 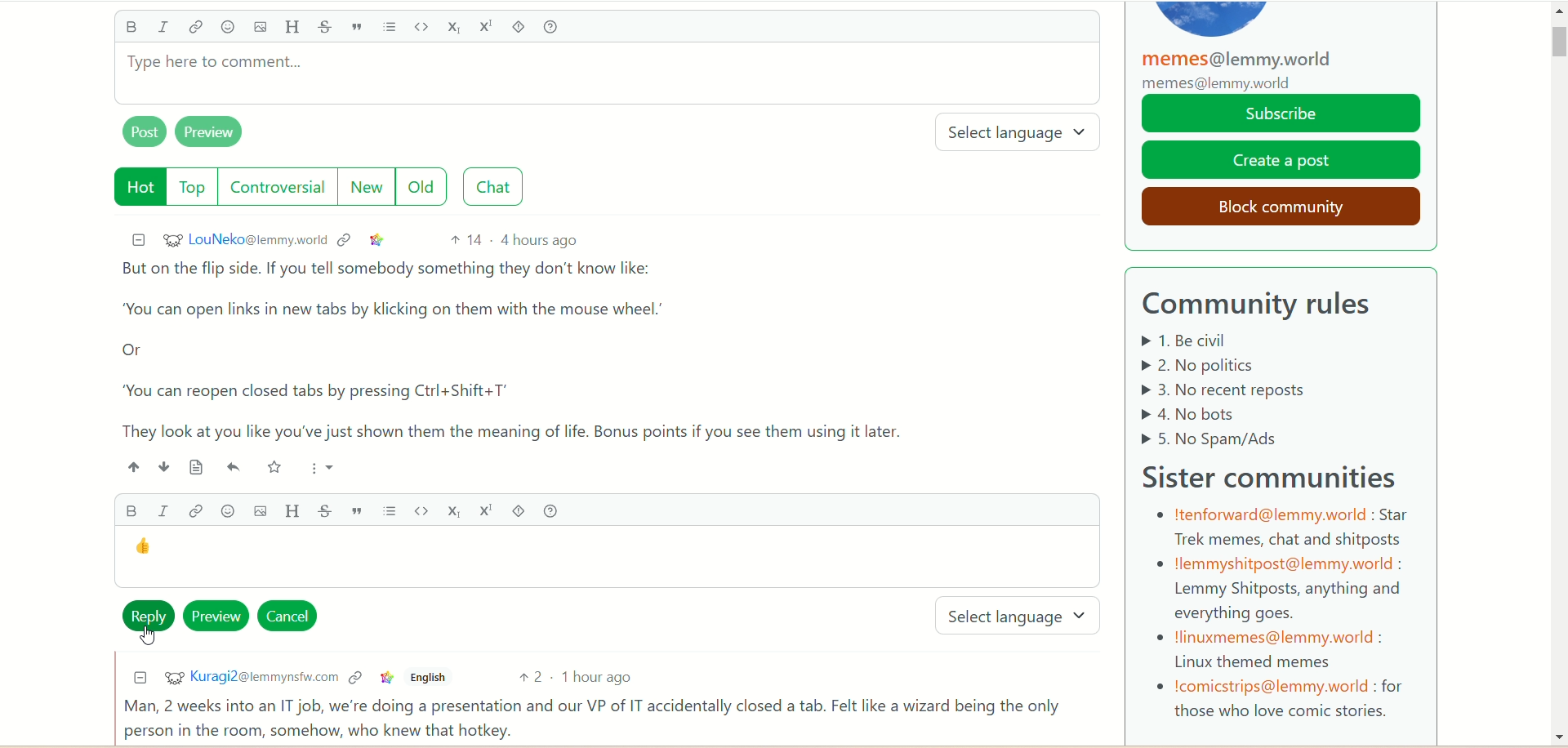 I want to click on bold, so click(x=130, y=29).